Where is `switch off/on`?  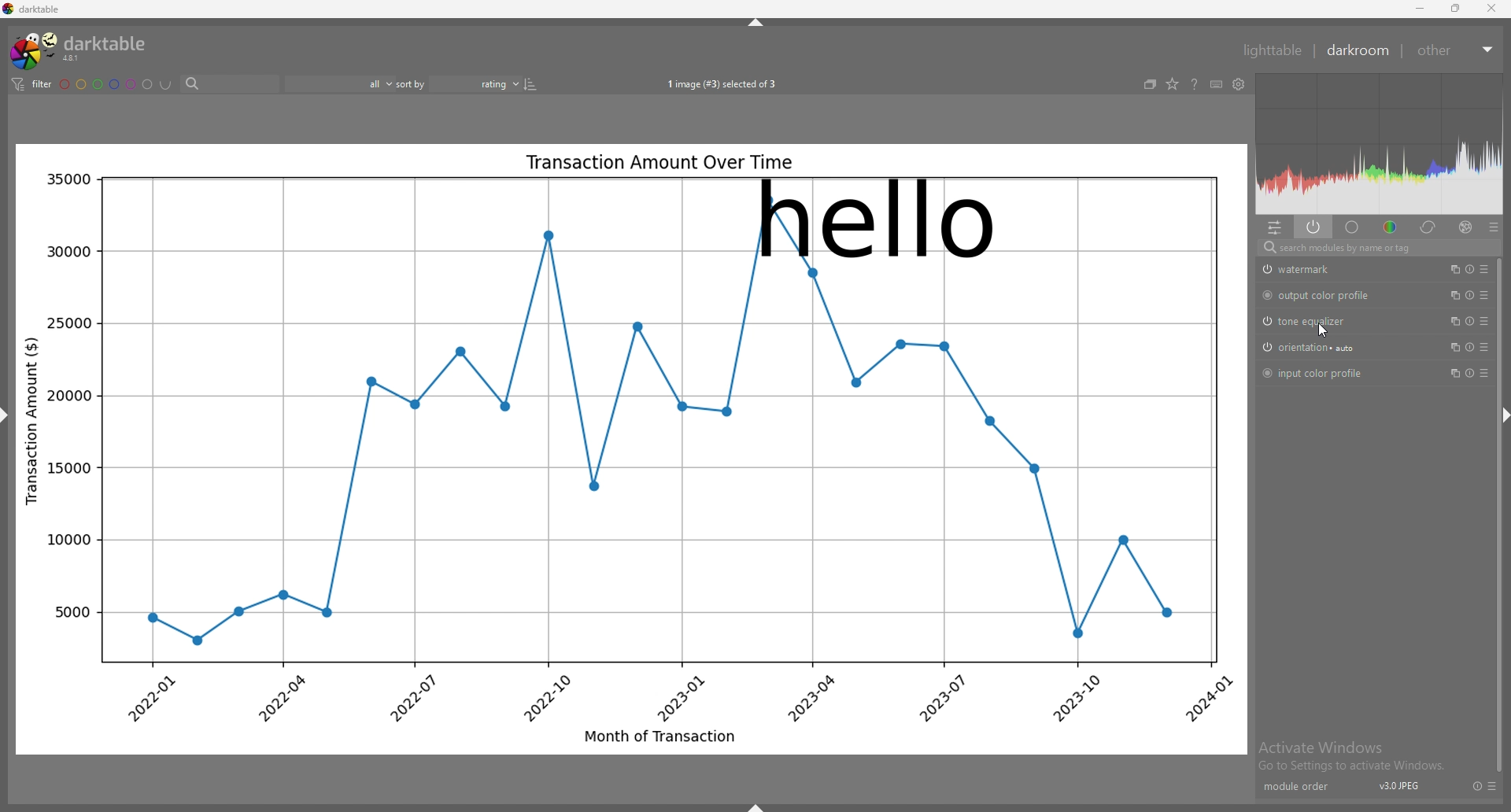
switch off/on is located at coordinates (1265, 321).